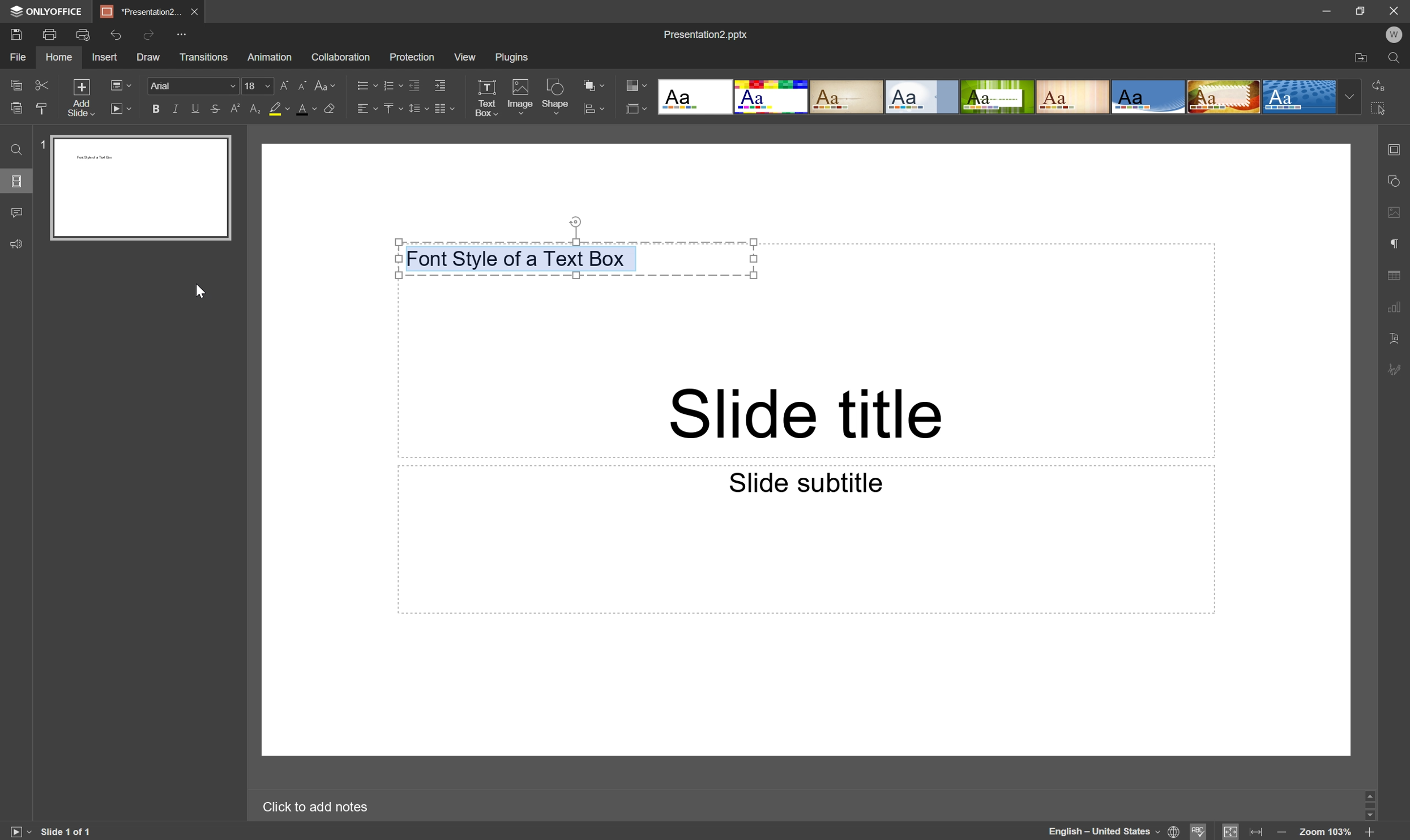 This screenshot has height=840, width=1410. I want to click on Start slideshow, so click(123, 109).